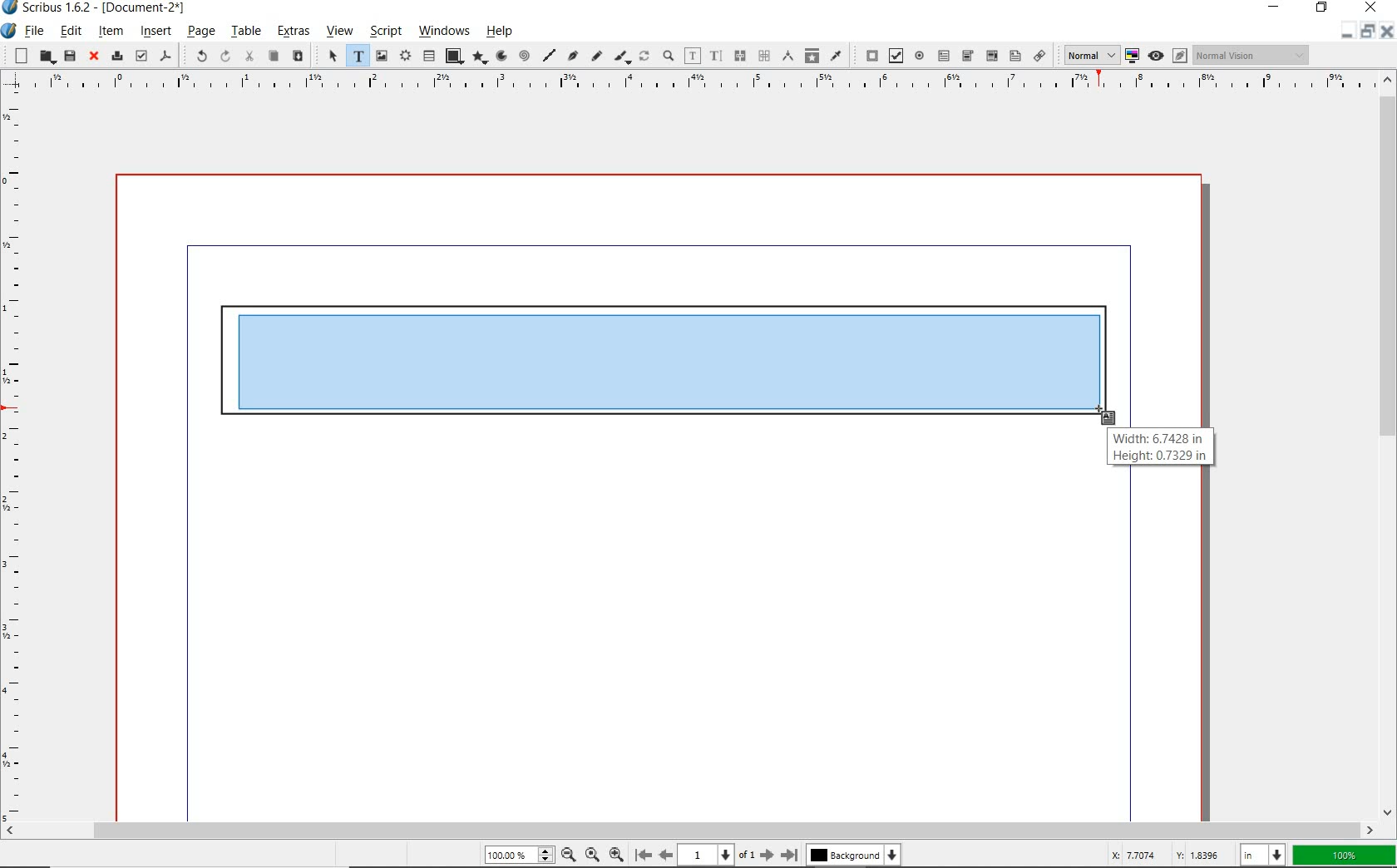 This screenshot has width=1397, height=868. What do you see at coordinates (1389, 32) in the screenshot?
I see `close` at bounding box center [1389, 32].